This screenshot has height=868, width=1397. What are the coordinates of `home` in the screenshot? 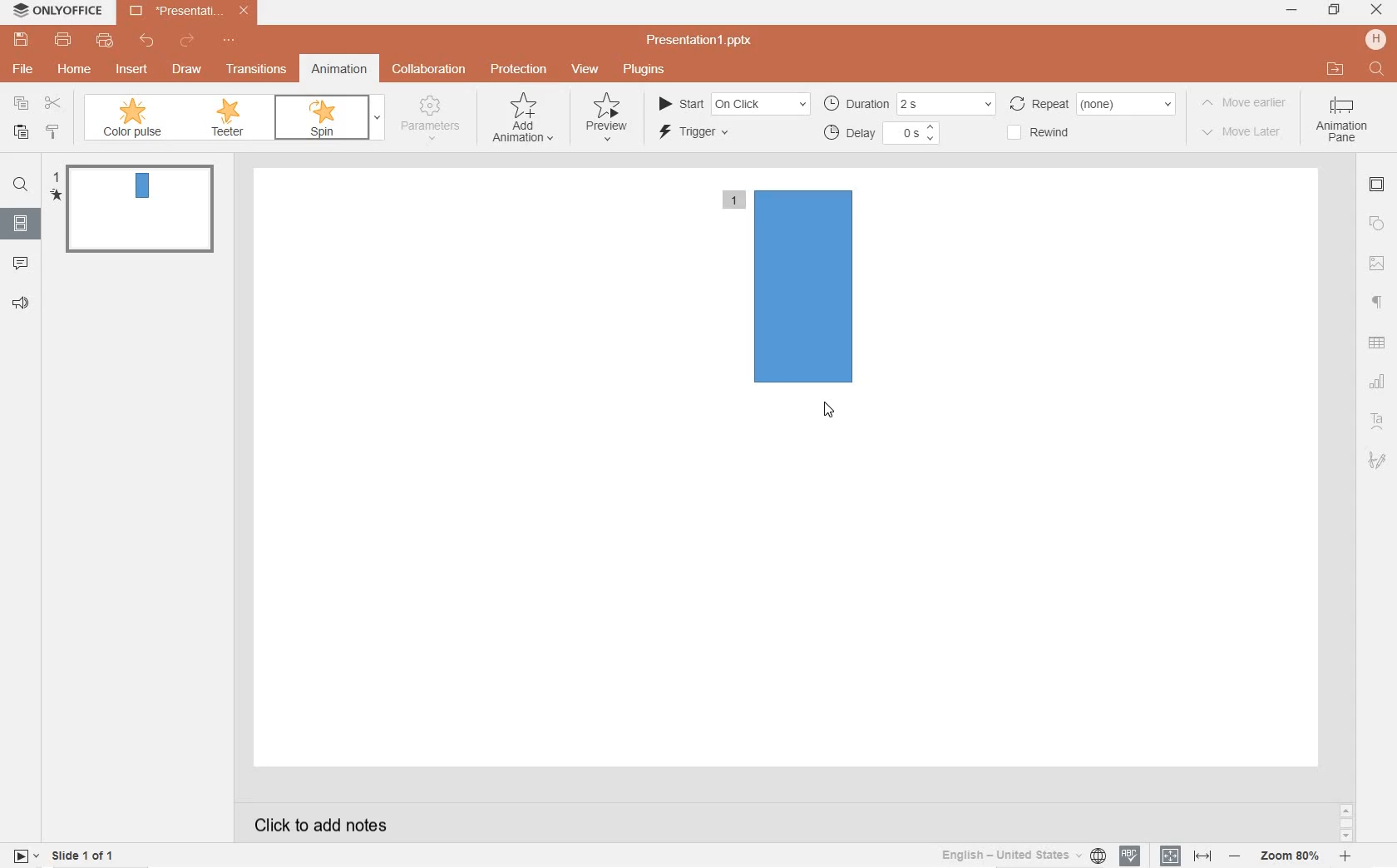 It's located at (74, 69).